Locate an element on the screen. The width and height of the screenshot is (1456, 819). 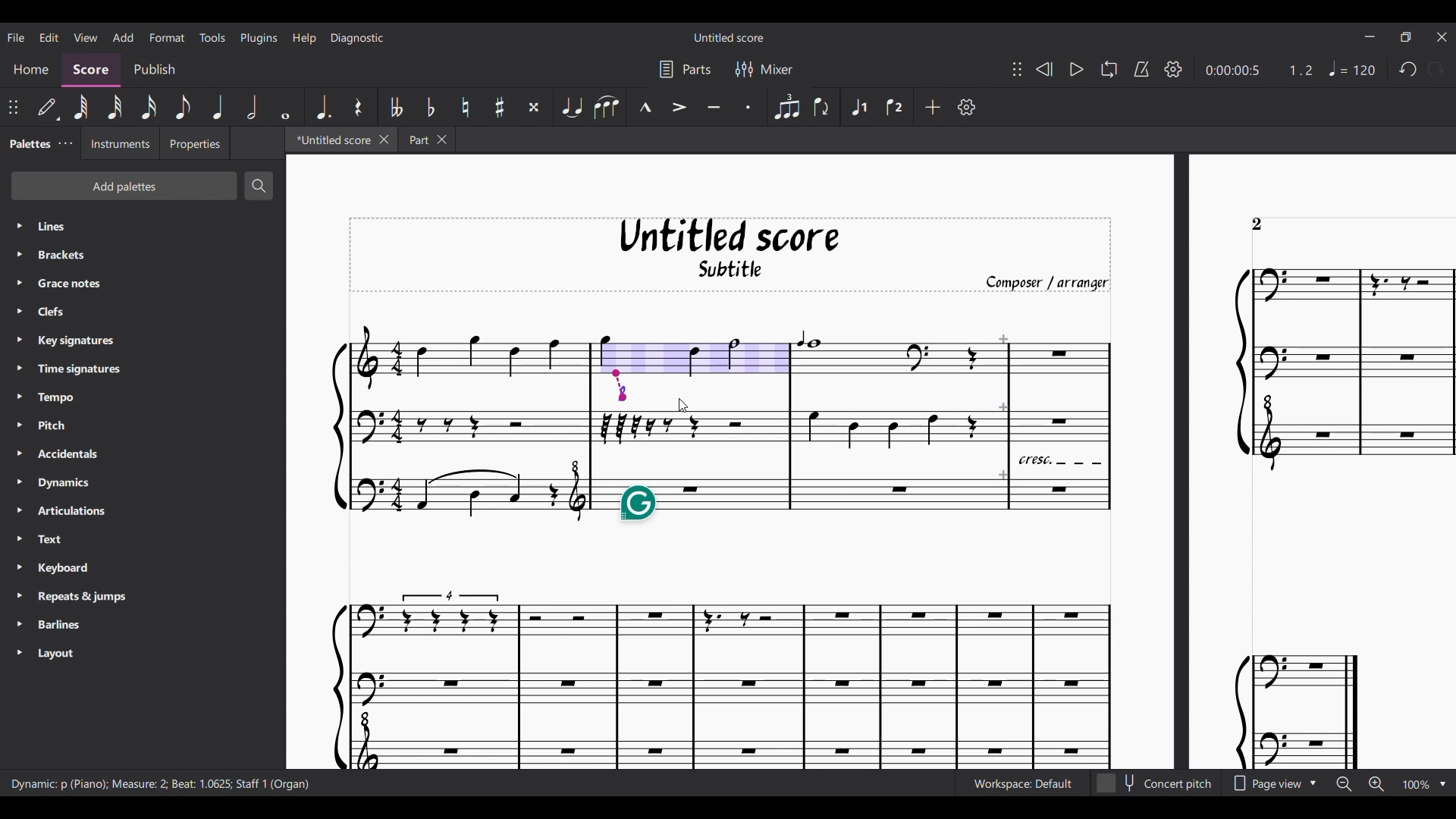
Half note is located at coordinates (252, 107).